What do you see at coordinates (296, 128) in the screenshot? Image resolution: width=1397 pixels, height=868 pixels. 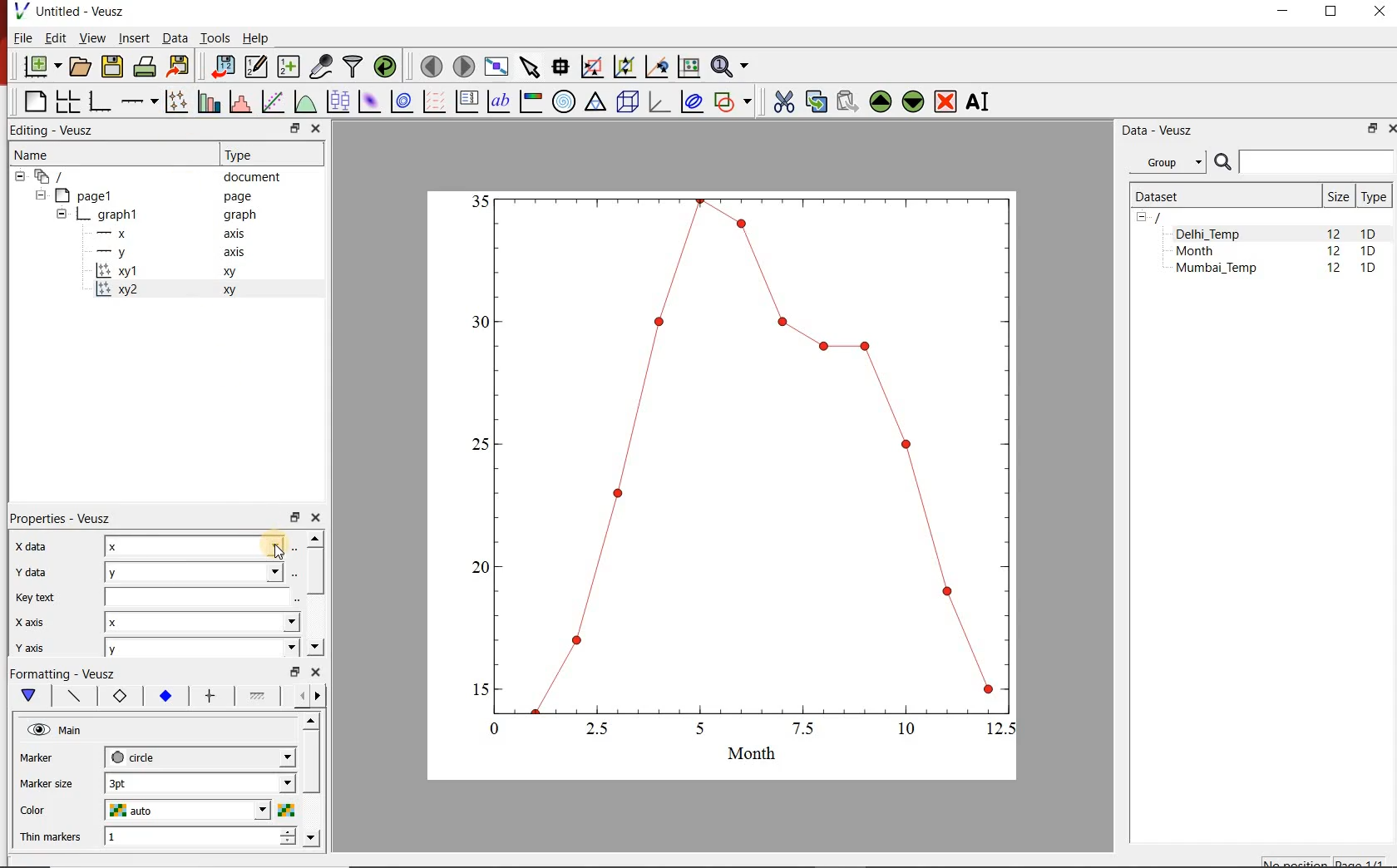 I see `restore` at bounding box center [296, 128].